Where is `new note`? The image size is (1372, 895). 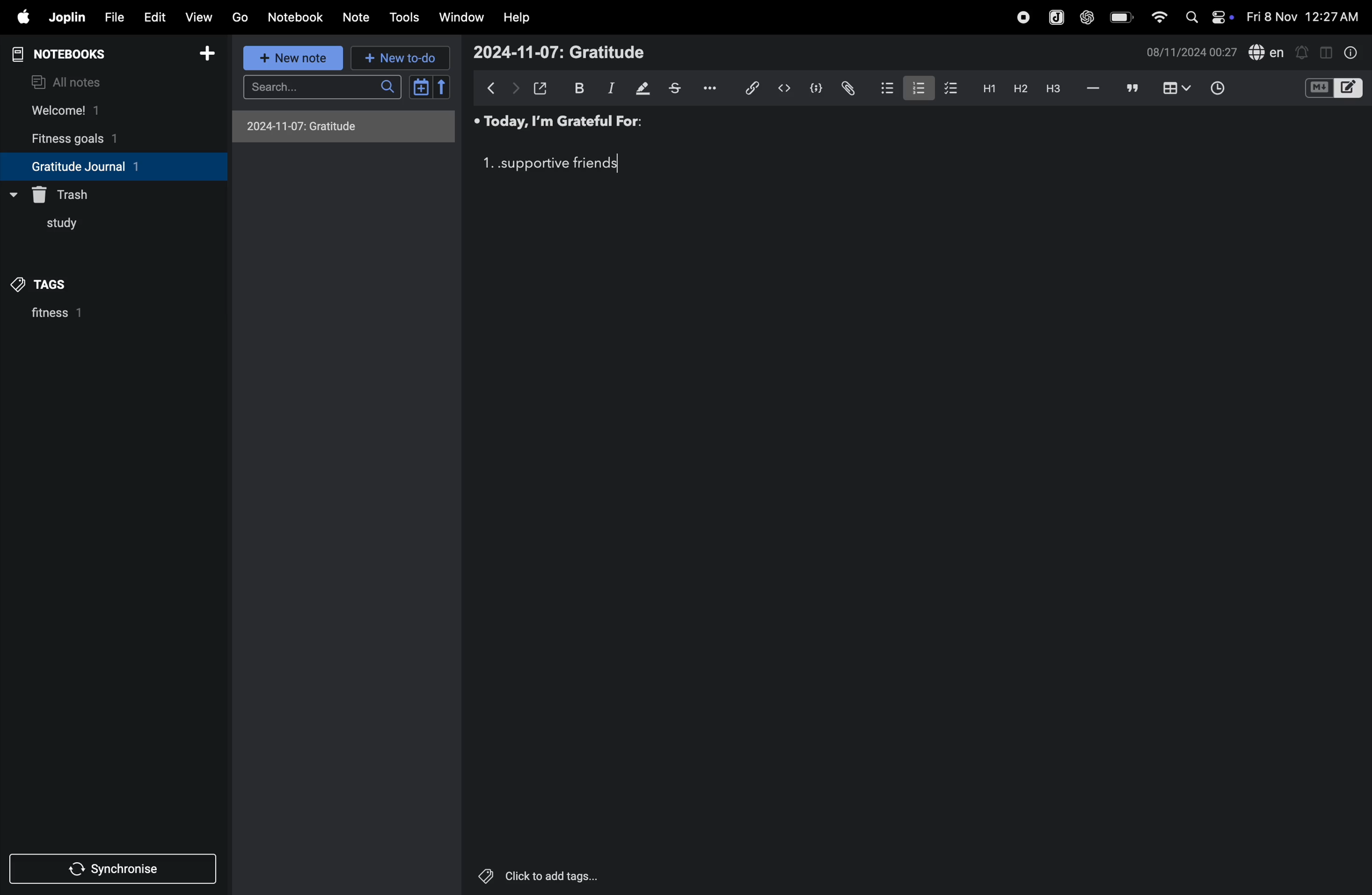 new note is located at coordinates (295, 59).